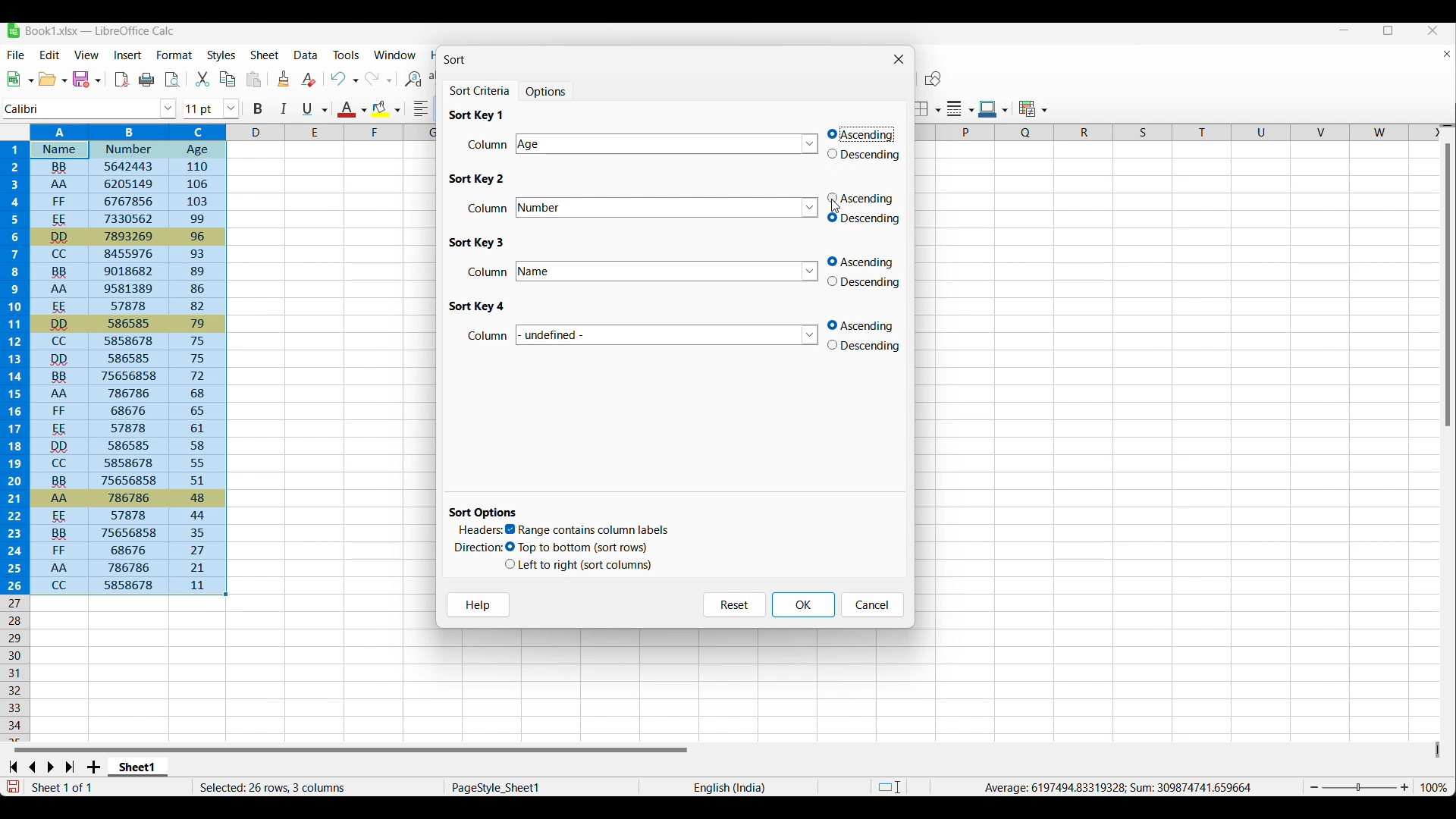 The height and width of the screenshot is (819, 1456). What do you see at coordinates (202, 79) in the screenshot?
I see `Cut` at bounding box center [202, 79].